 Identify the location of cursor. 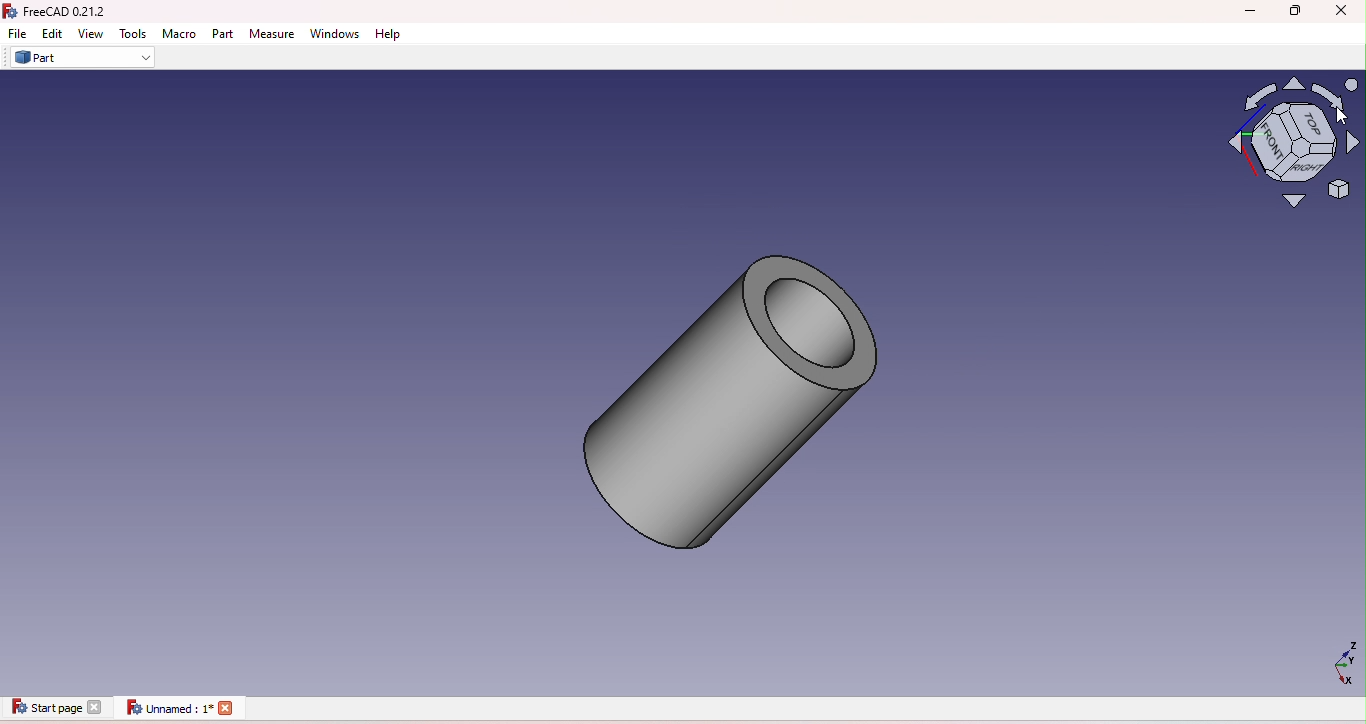
(1336, 115).